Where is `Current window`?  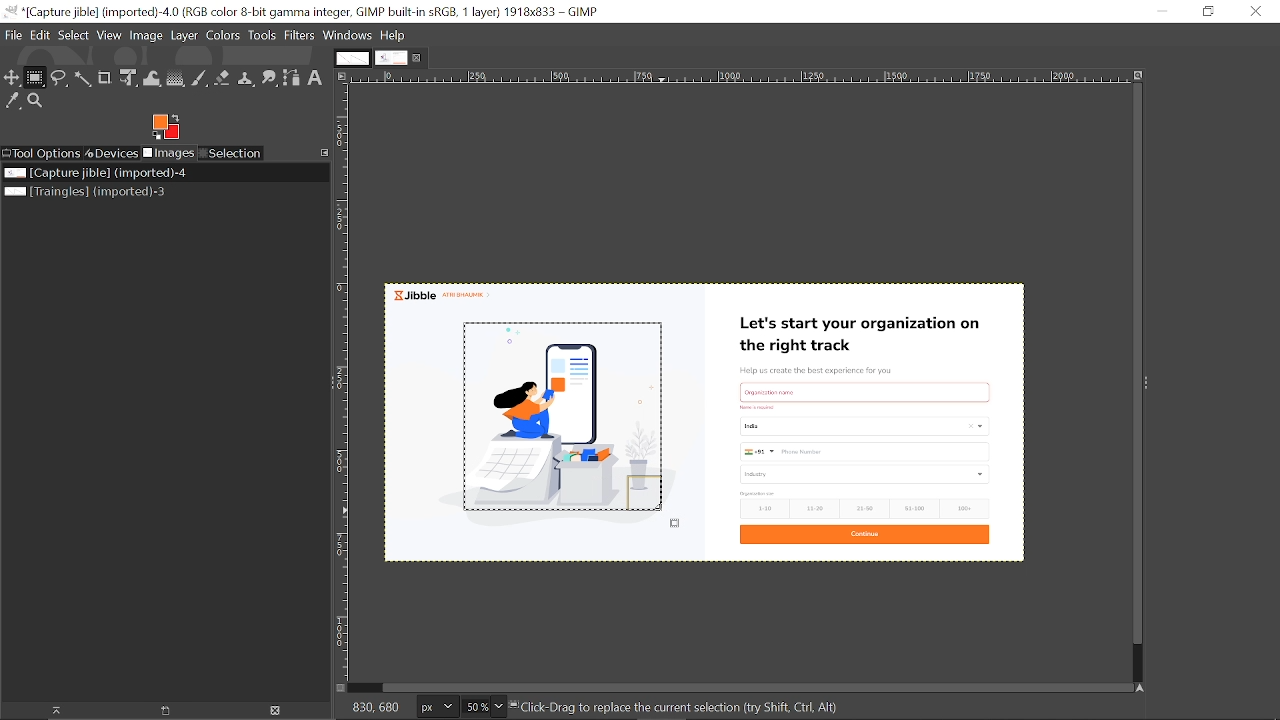 Current window is located at coordinates (303, 11).